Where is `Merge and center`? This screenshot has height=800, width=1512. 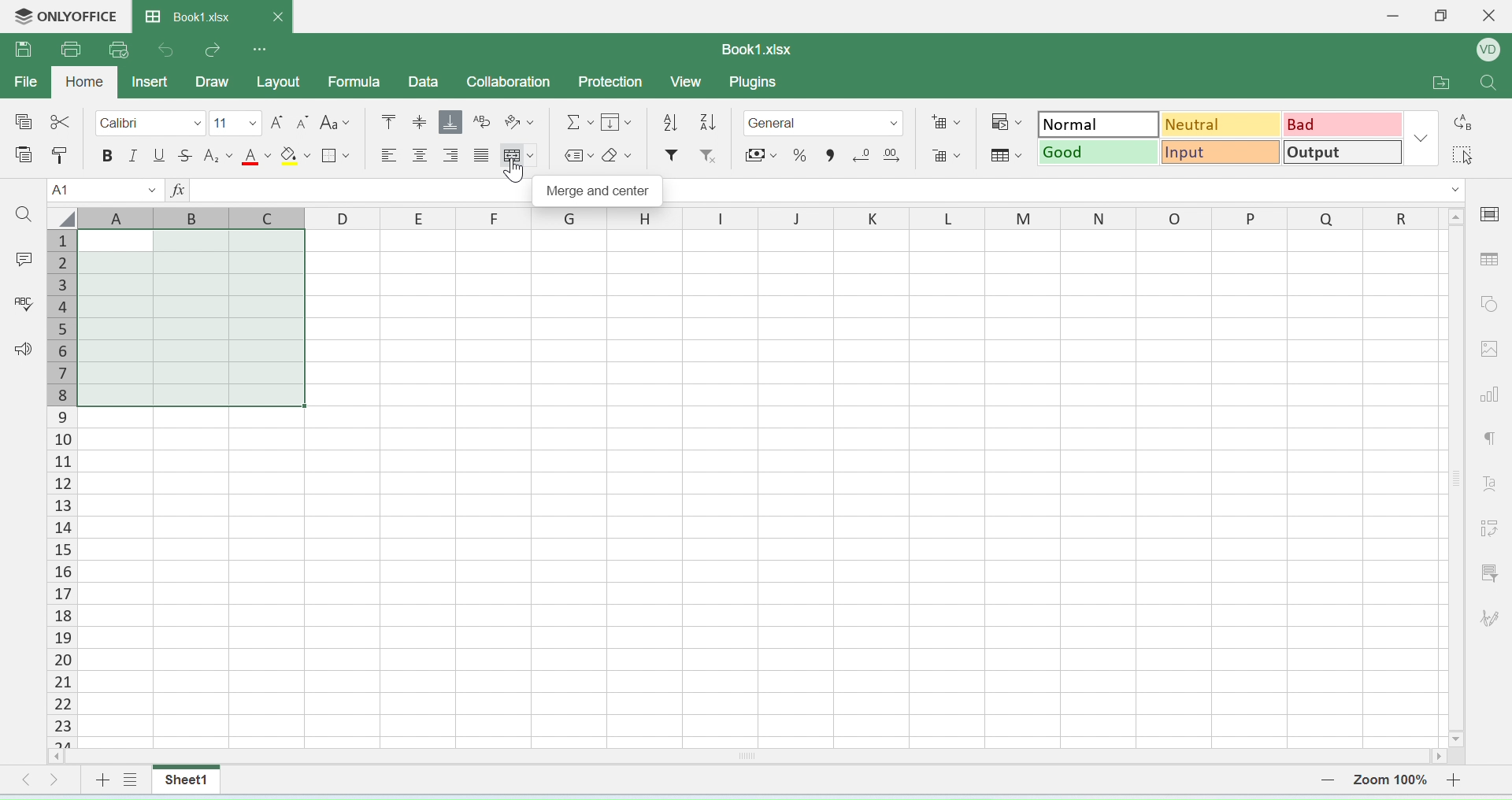
Merge and center is located at coordinates (517, 158).